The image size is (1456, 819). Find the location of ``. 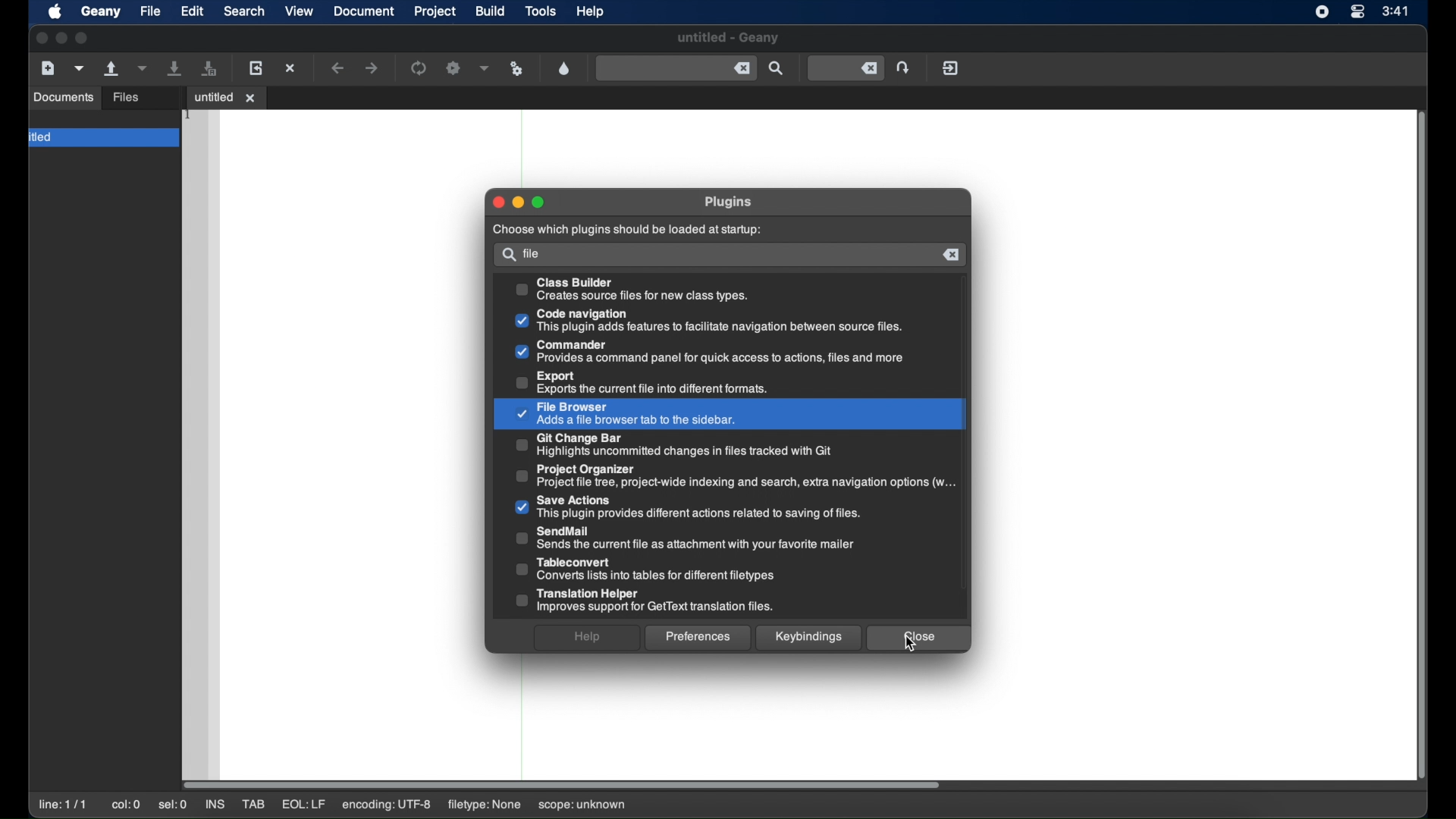

 is located at coordinates (669, 382).